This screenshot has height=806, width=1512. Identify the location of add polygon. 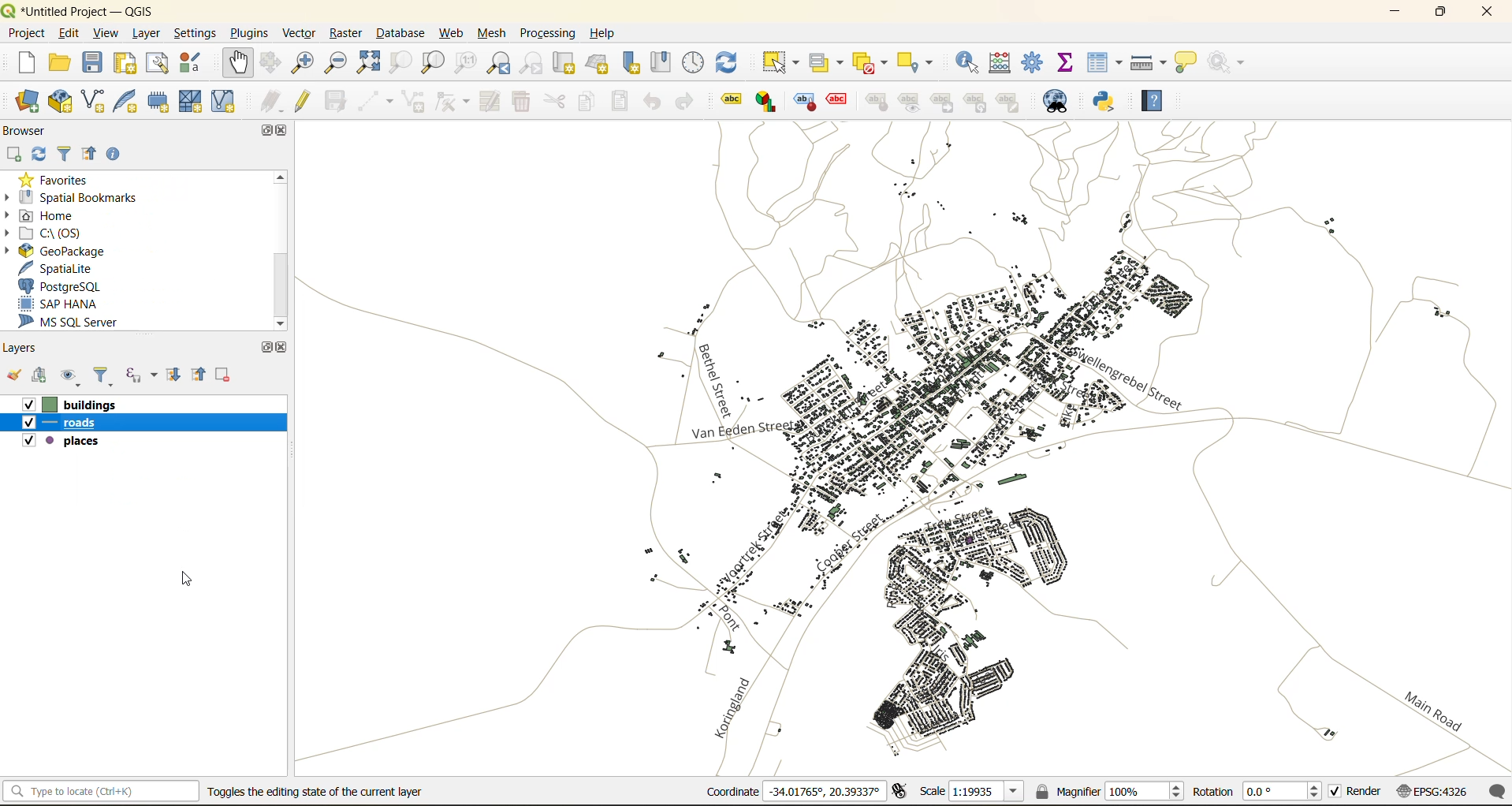
(415, 102).